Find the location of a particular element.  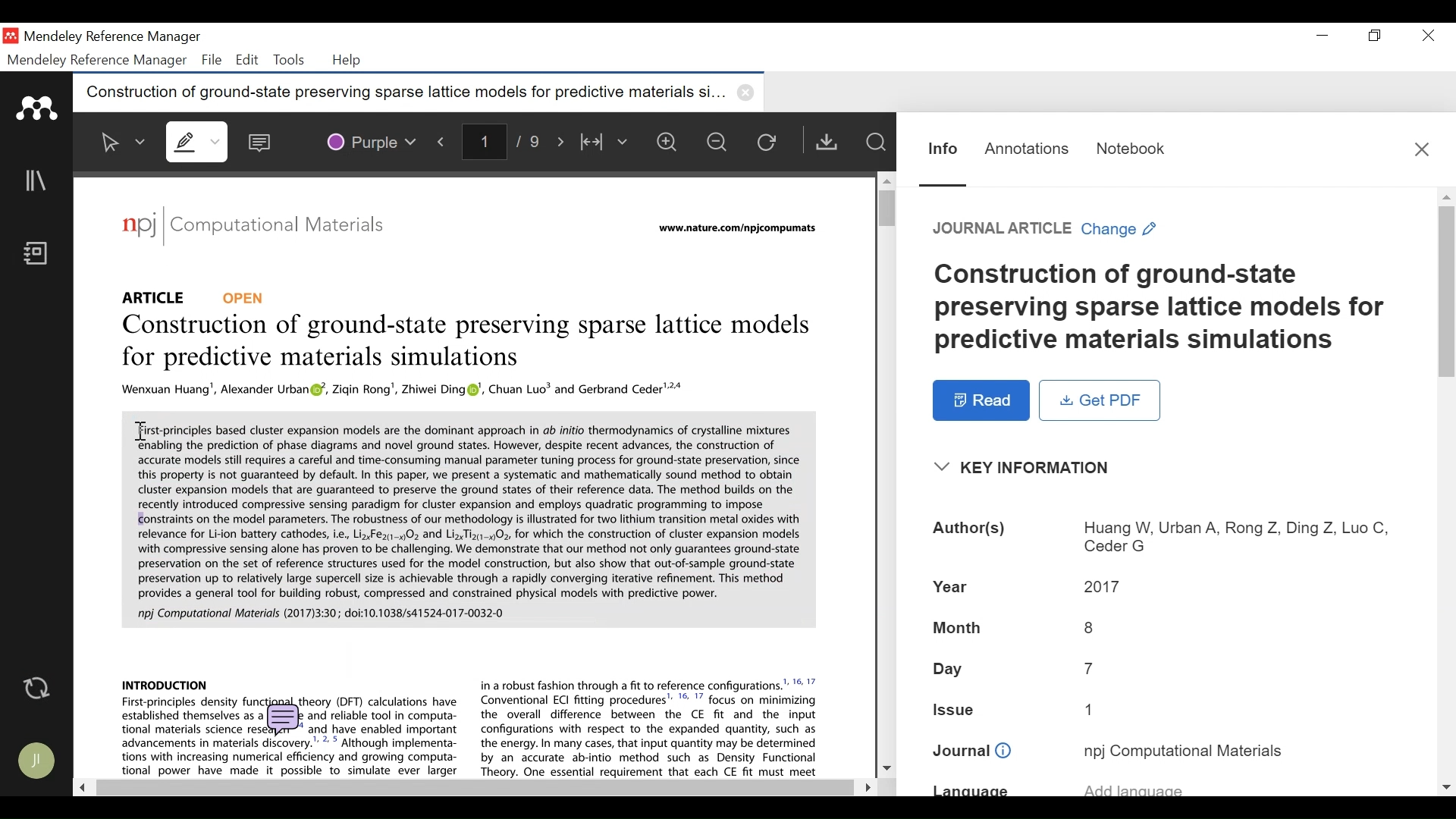

PDF Context is located at coordinates (405, 391).